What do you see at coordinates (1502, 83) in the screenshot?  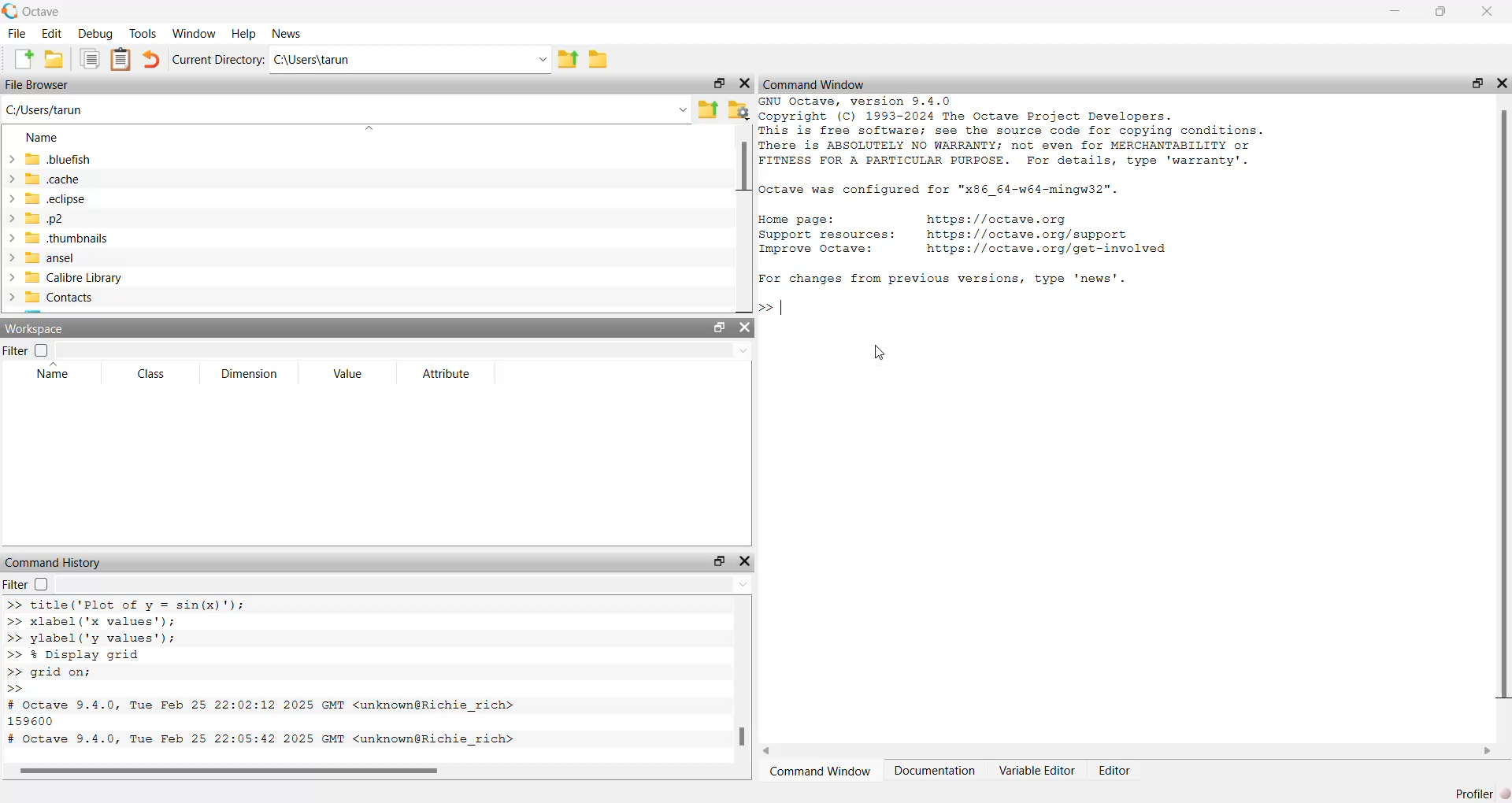 I see `close` at bounding box center [1502, 83].